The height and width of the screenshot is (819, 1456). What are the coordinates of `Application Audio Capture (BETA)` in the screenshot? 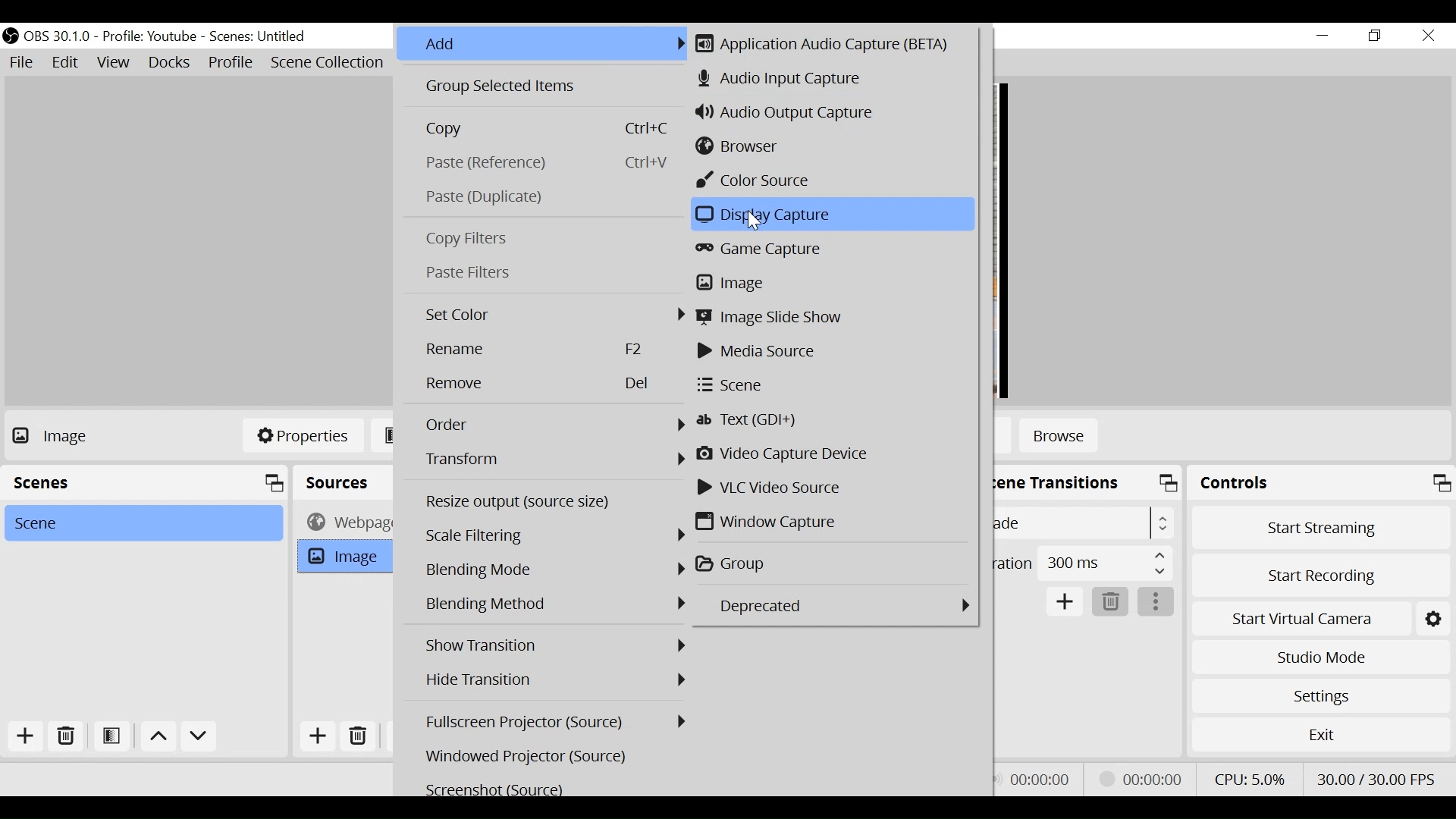 It's located at (833, 43).